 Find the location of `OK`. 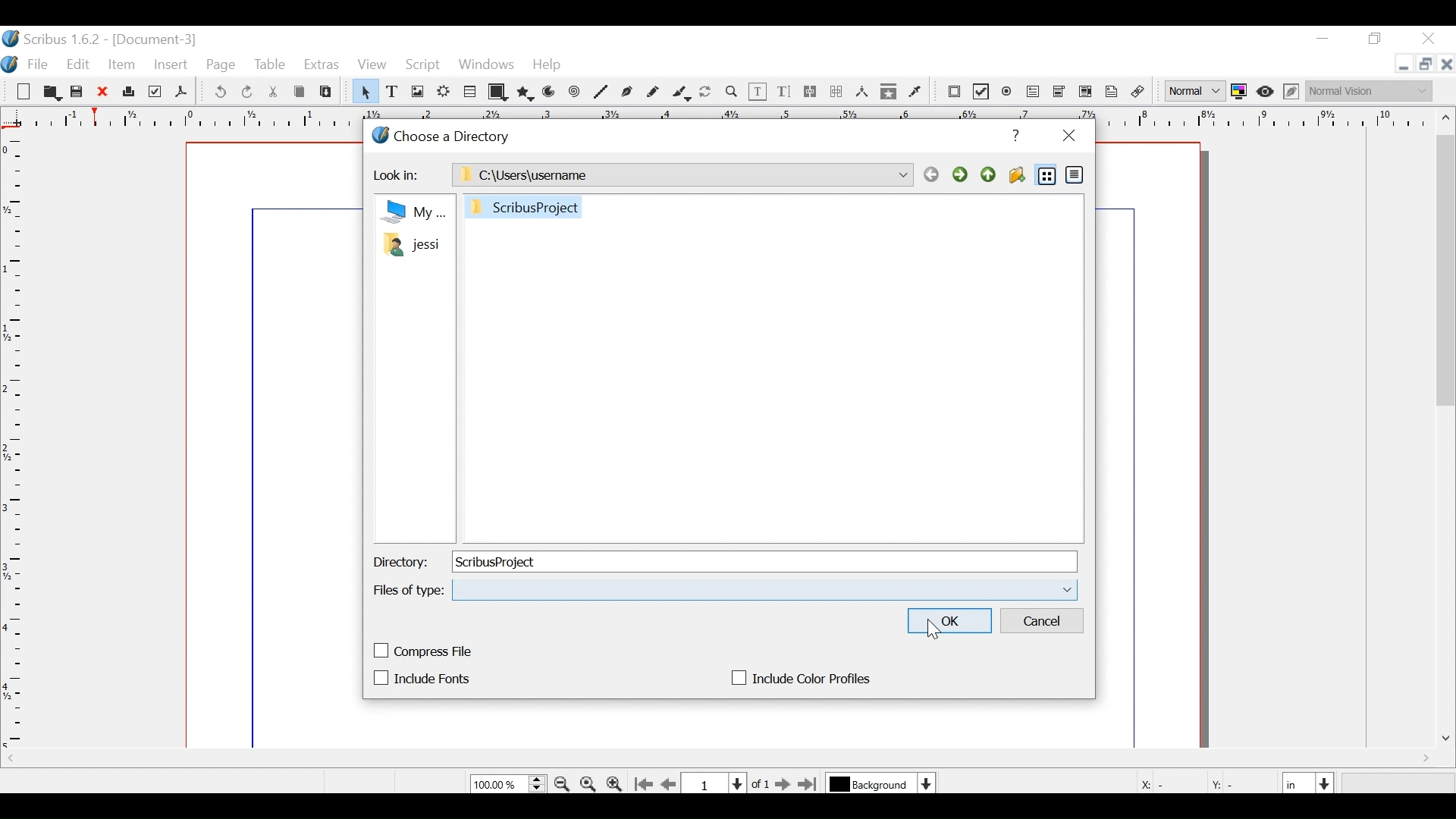

OK is located at coordinates (948, 620).